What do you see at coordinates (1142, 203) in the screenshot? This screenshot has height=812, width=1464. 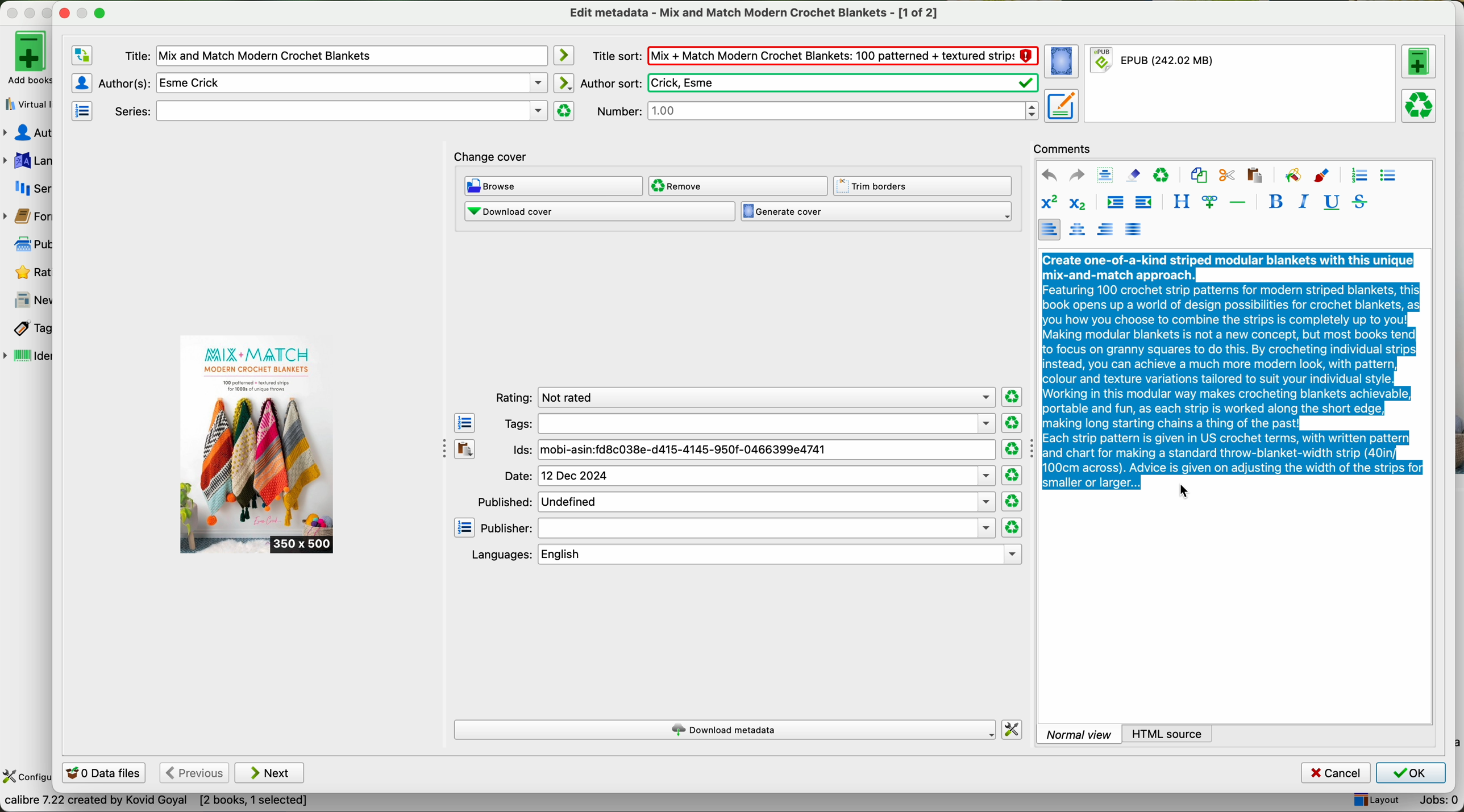 I see `decrease indentation` at bounding box center [1142, 203].